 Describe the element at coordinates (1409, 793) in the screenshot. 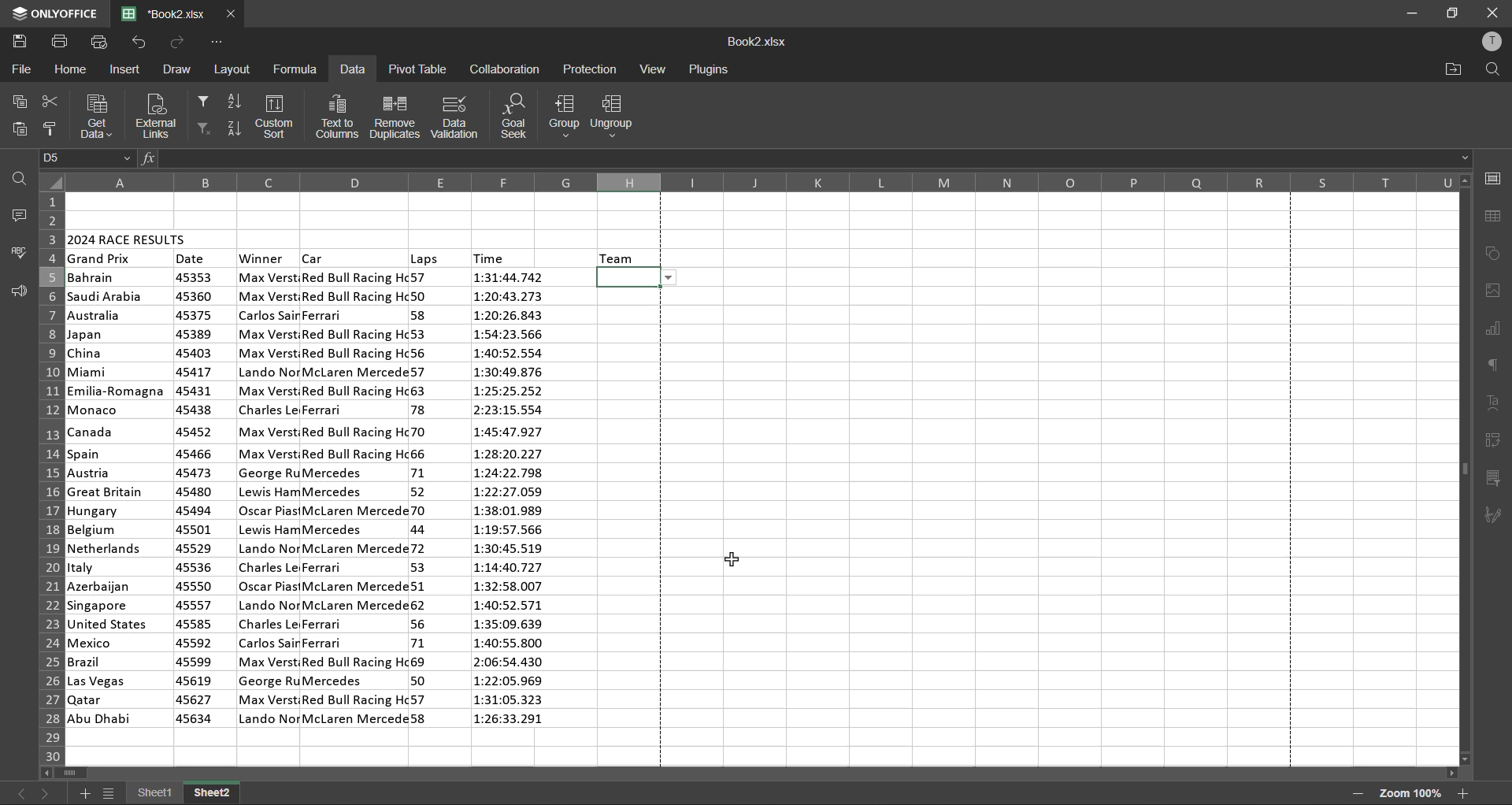

I see `zoom factor` at that location.